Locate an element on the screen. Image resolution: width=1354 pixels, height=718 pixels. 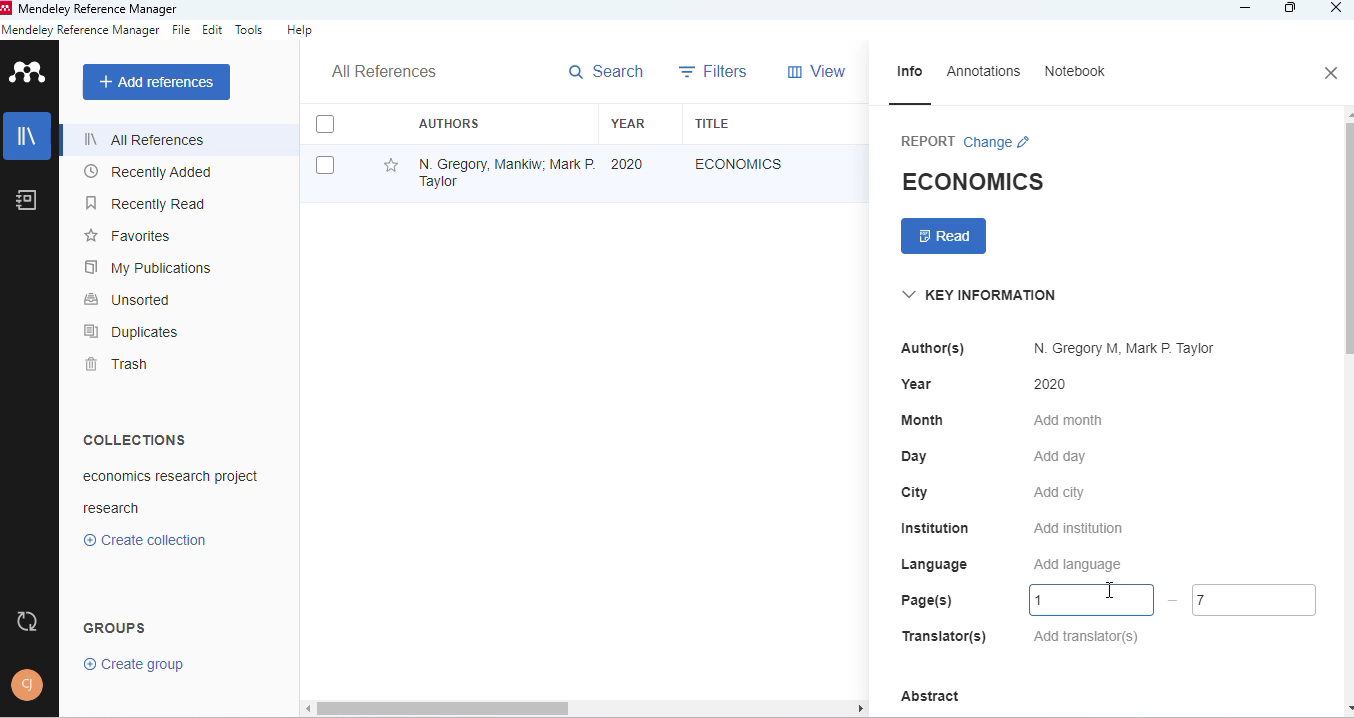
groups is located at coordinates (116, 628).